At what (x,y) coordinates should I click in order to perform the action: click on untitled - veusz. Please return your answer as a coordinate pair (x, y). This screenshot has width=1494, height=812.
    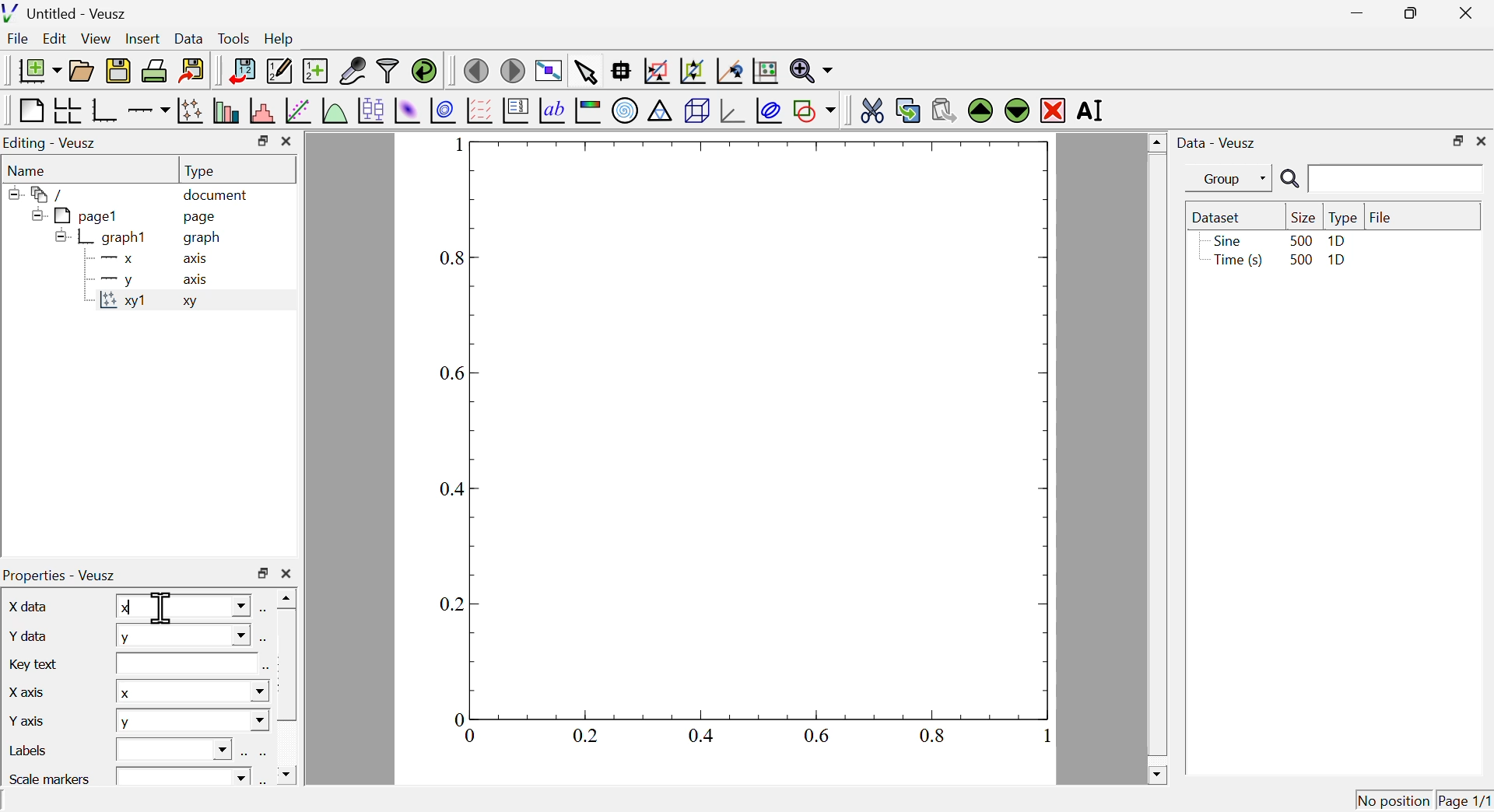
    Looking at the image, I should click on (67, 12).